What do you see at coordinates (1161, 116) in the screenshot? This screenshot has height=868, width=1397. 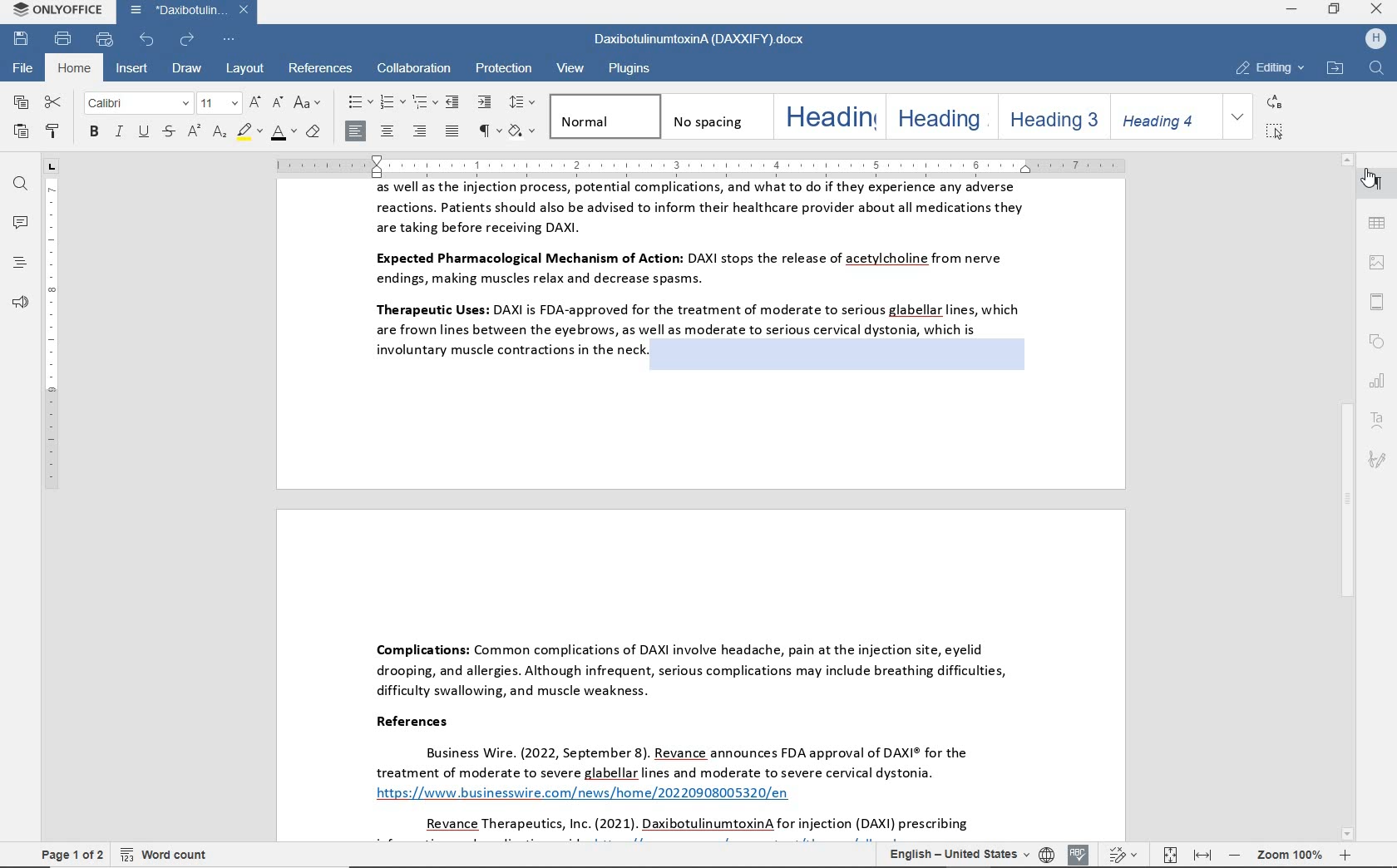 I see `heading 4` at bounding box center [1161, 116].